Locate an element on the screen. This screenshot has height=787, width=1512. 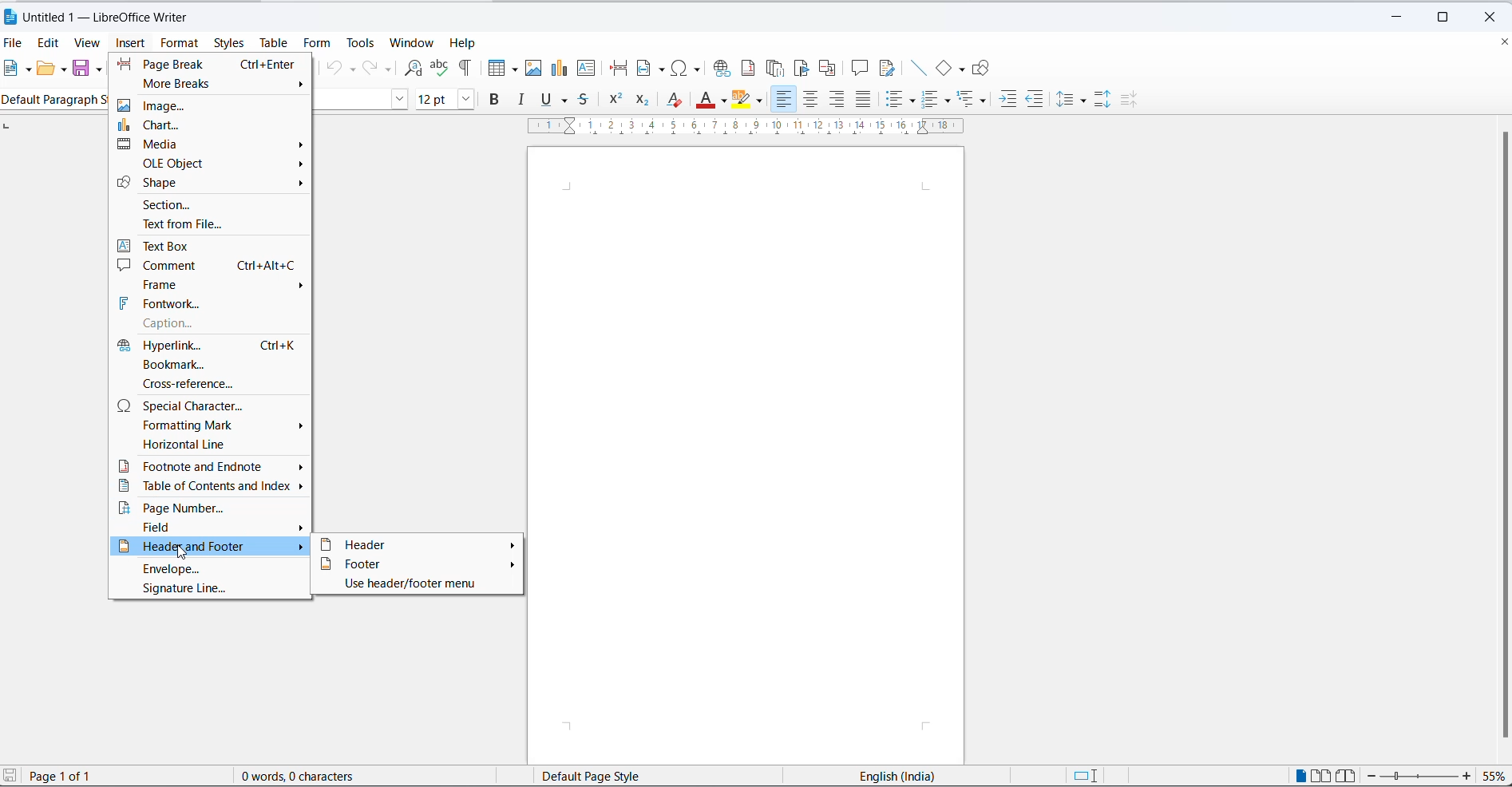
scroll bar is located at coordinates (1498, 436).